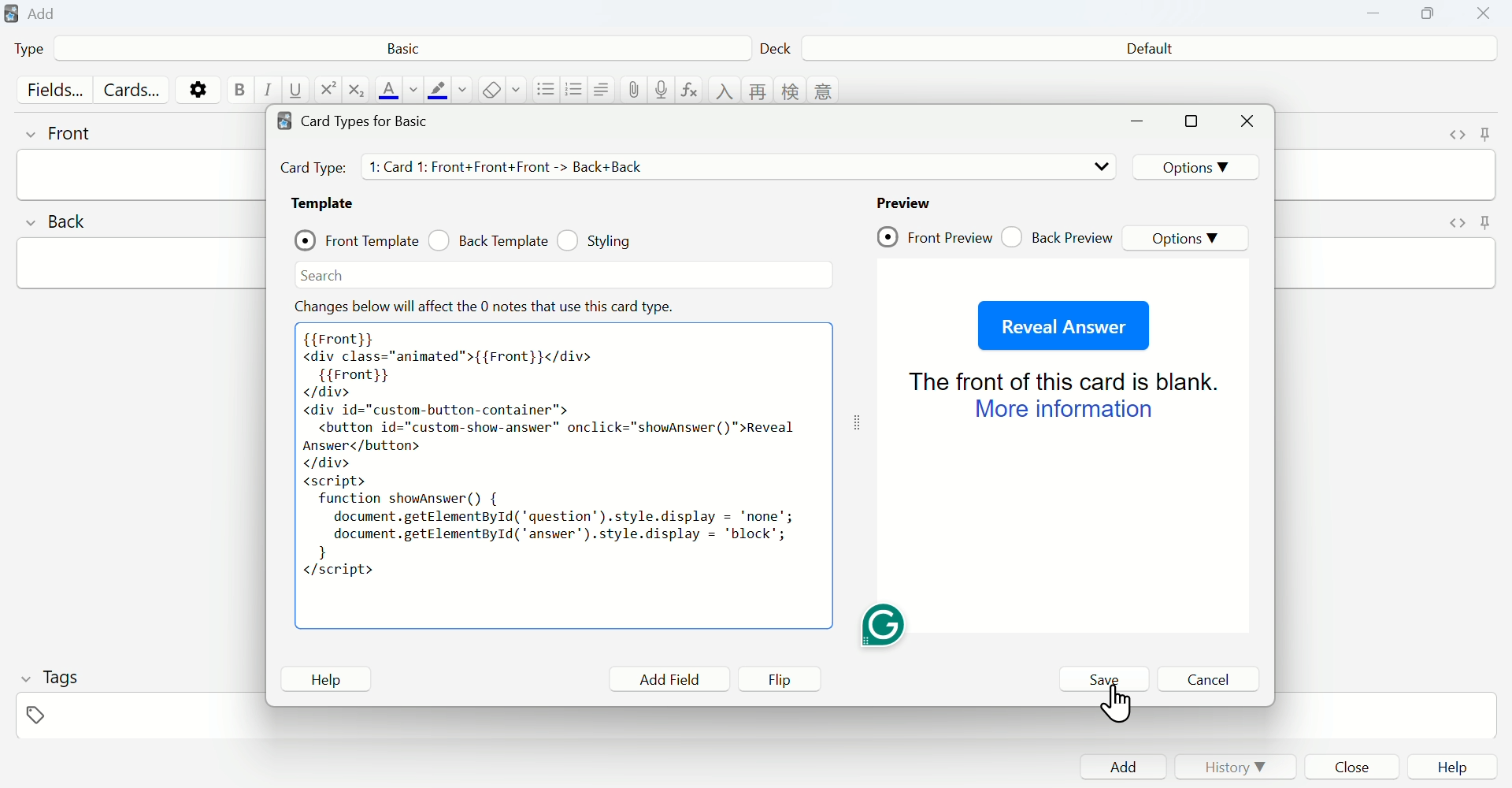  Describe the element at coordinates (59, 676) in the screenshot. I see `Tags` at that location.